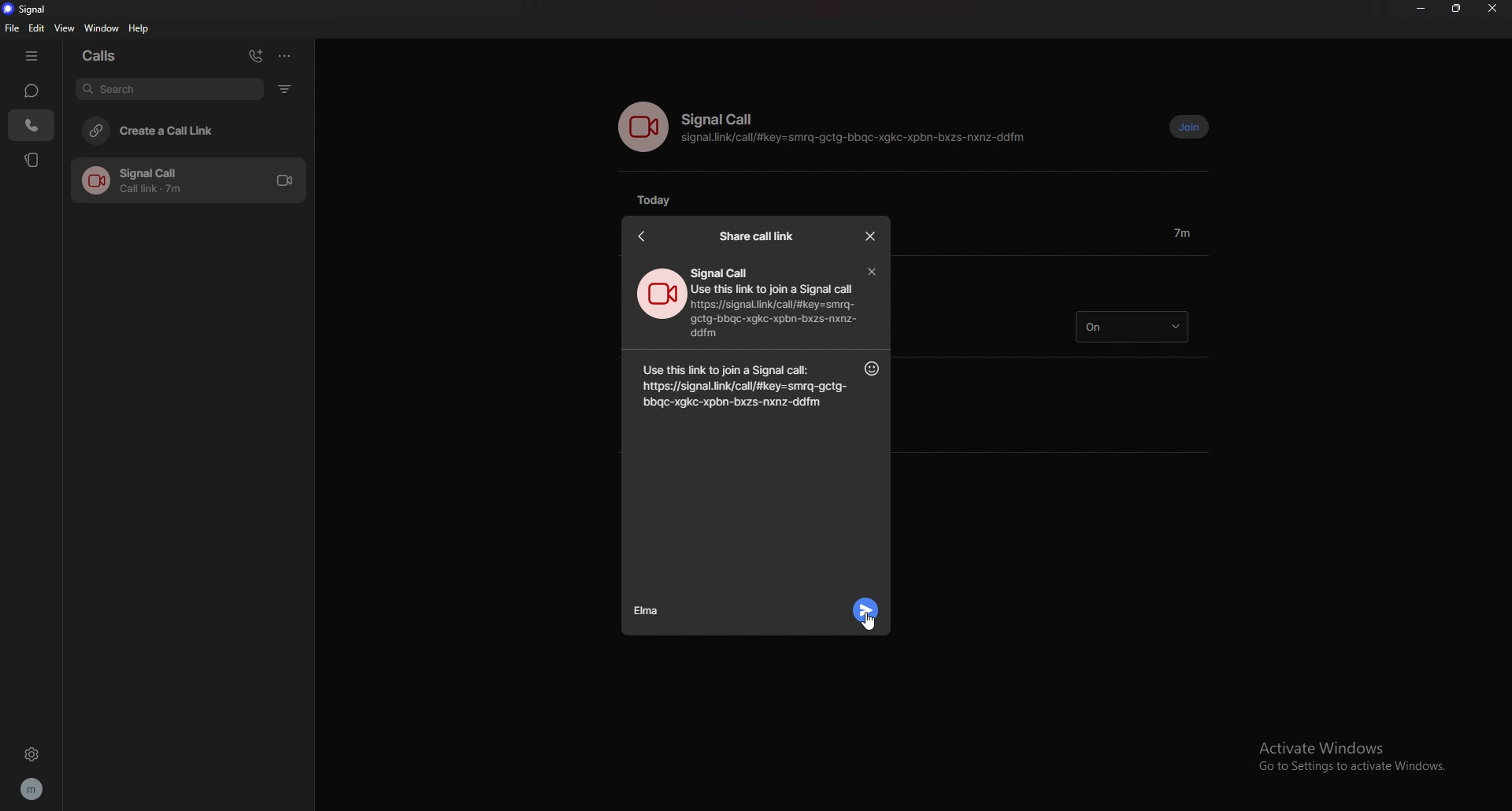  What do you see at coordinates (31, 9) in the screenshot?
I see `signal` at bounding box center [31, 9].